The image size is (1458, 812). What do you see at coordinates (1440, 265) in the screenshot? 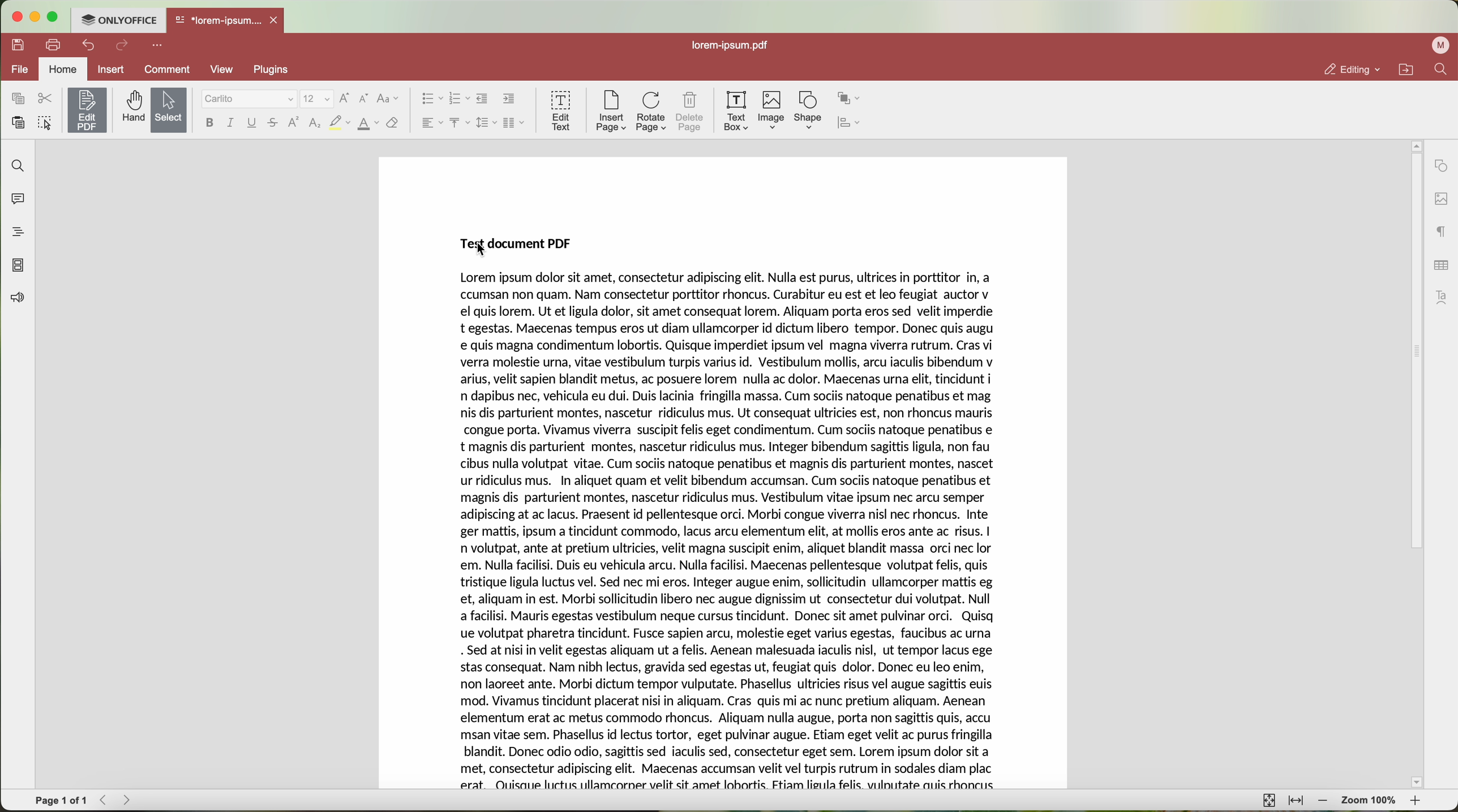
I see `table settings` at bounding box center [1440, 265].